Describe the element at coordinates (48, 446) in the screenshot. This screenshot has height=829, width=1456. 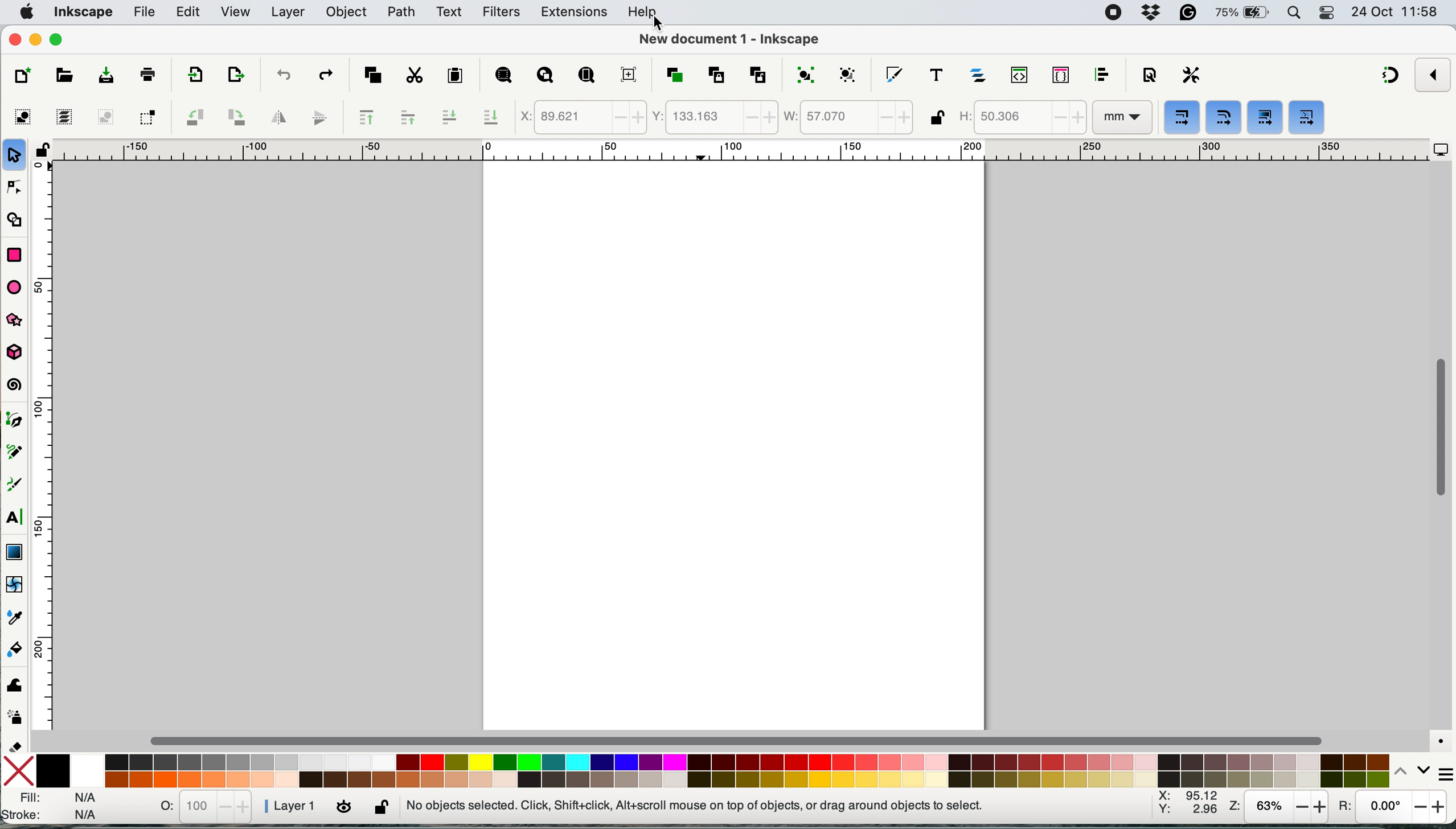
I see `vertical ruler` at that location.